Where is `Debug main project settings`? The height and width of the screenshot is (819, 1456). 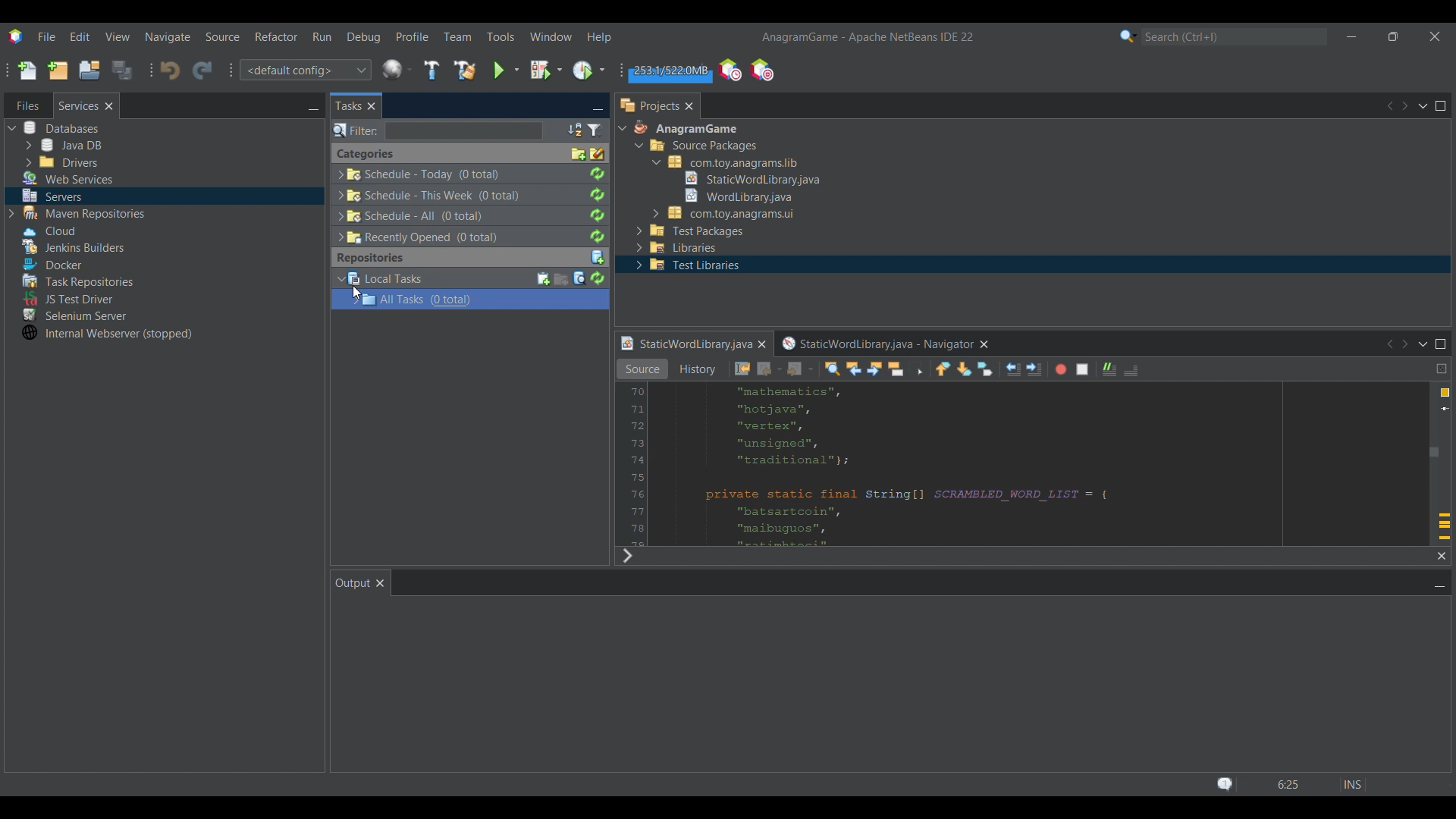 Debug main project settings is located at coordinates (546, 70).